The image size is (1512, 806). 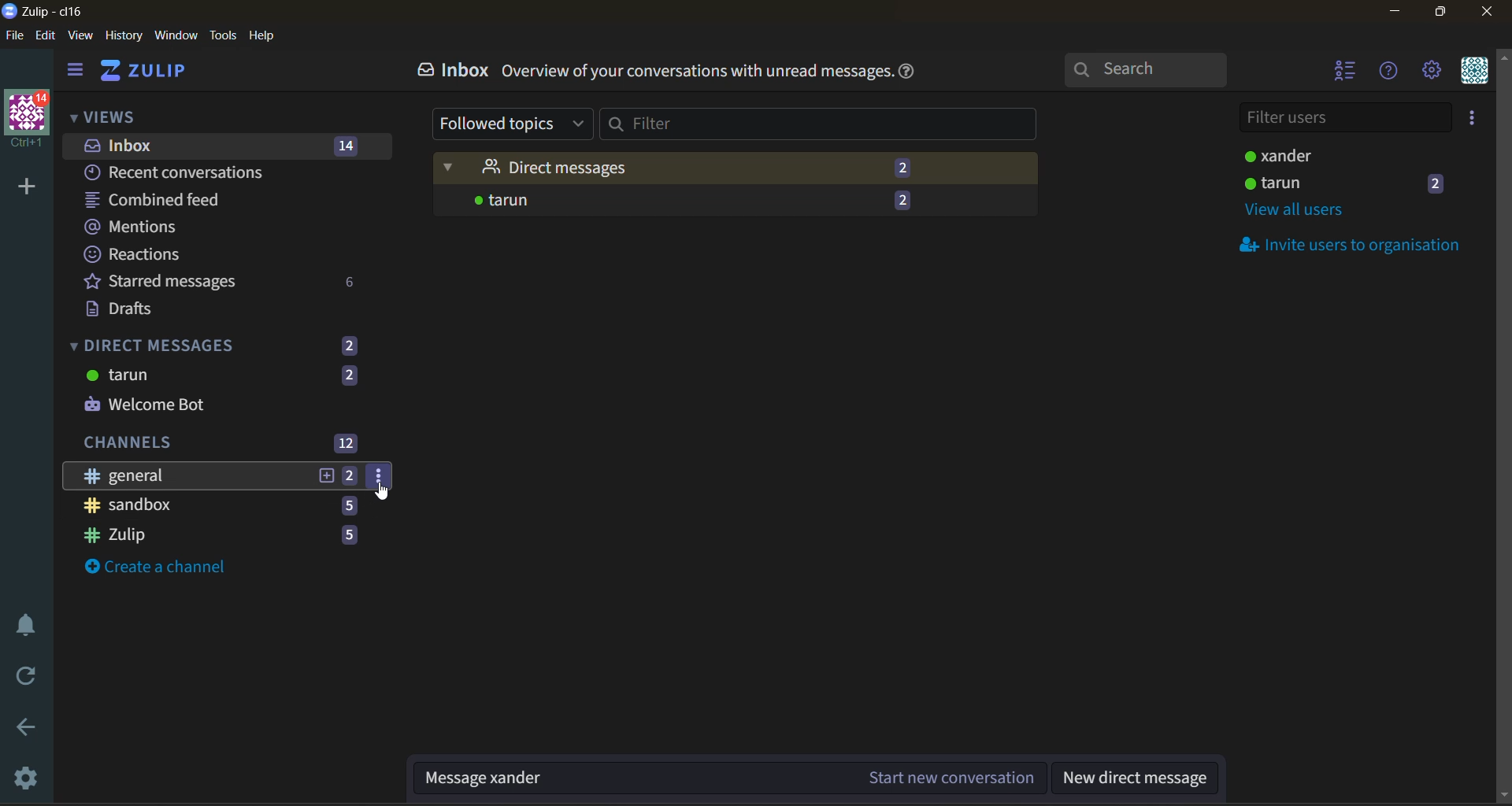 What do you see at coordinates (1395, 14) in the screenshot?
I see `minimize` at bounding box center [1395, 14].